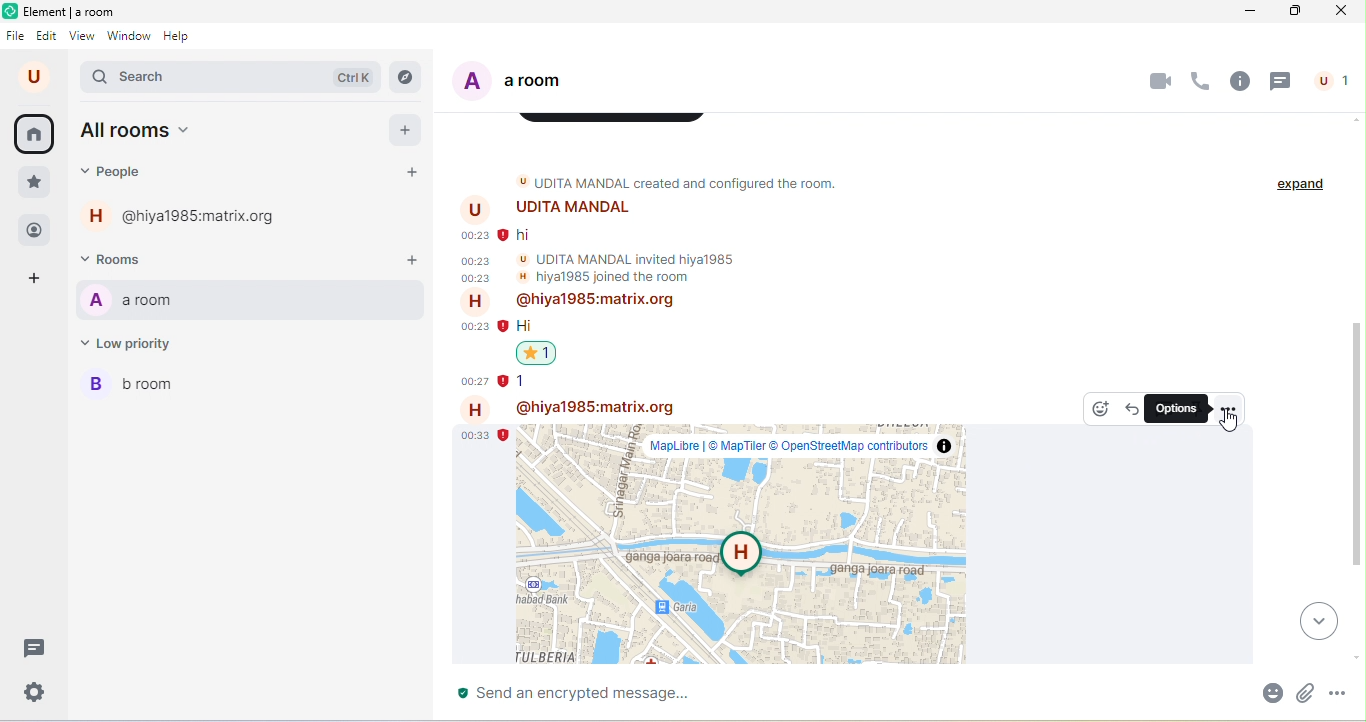 The image size is (1366, 722). Describe the element at coordinates (524, 381) in the screenshot. I see `text message: "1"` at that location.